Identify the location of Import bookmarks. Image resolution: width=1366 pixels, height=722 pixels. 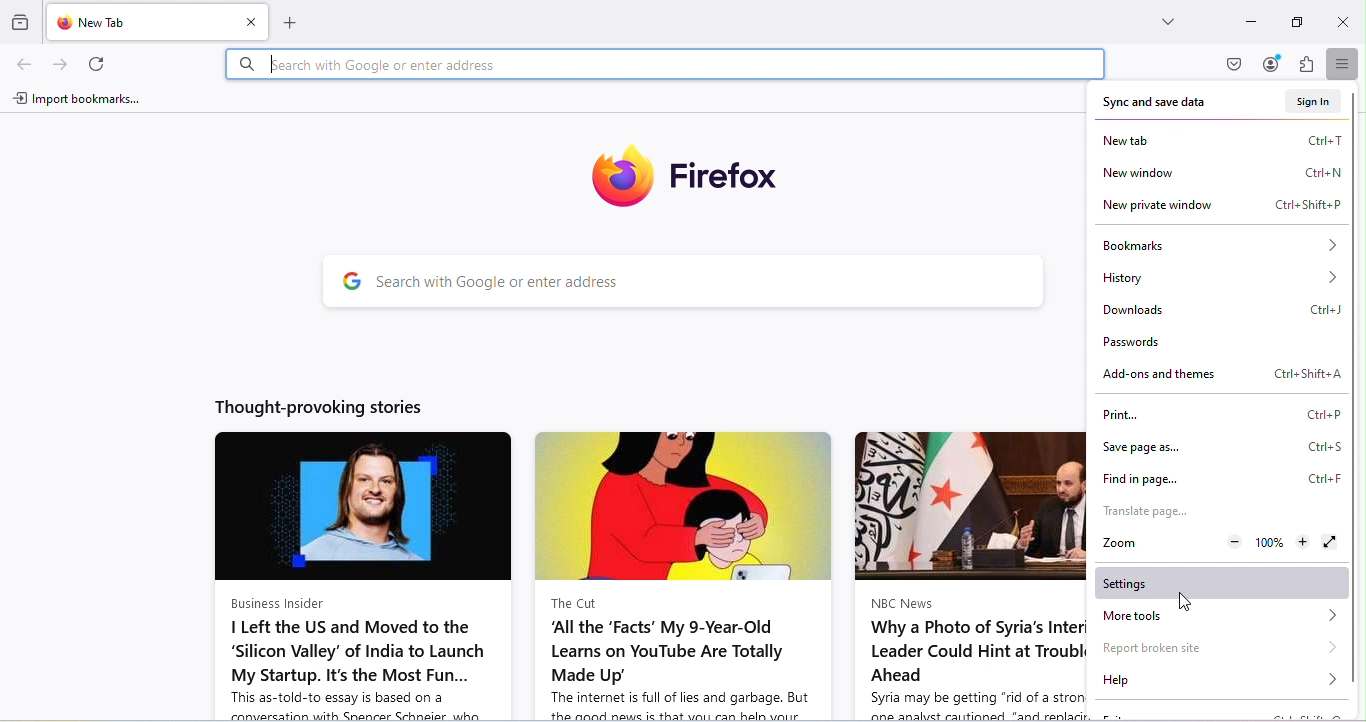
(78, 96).